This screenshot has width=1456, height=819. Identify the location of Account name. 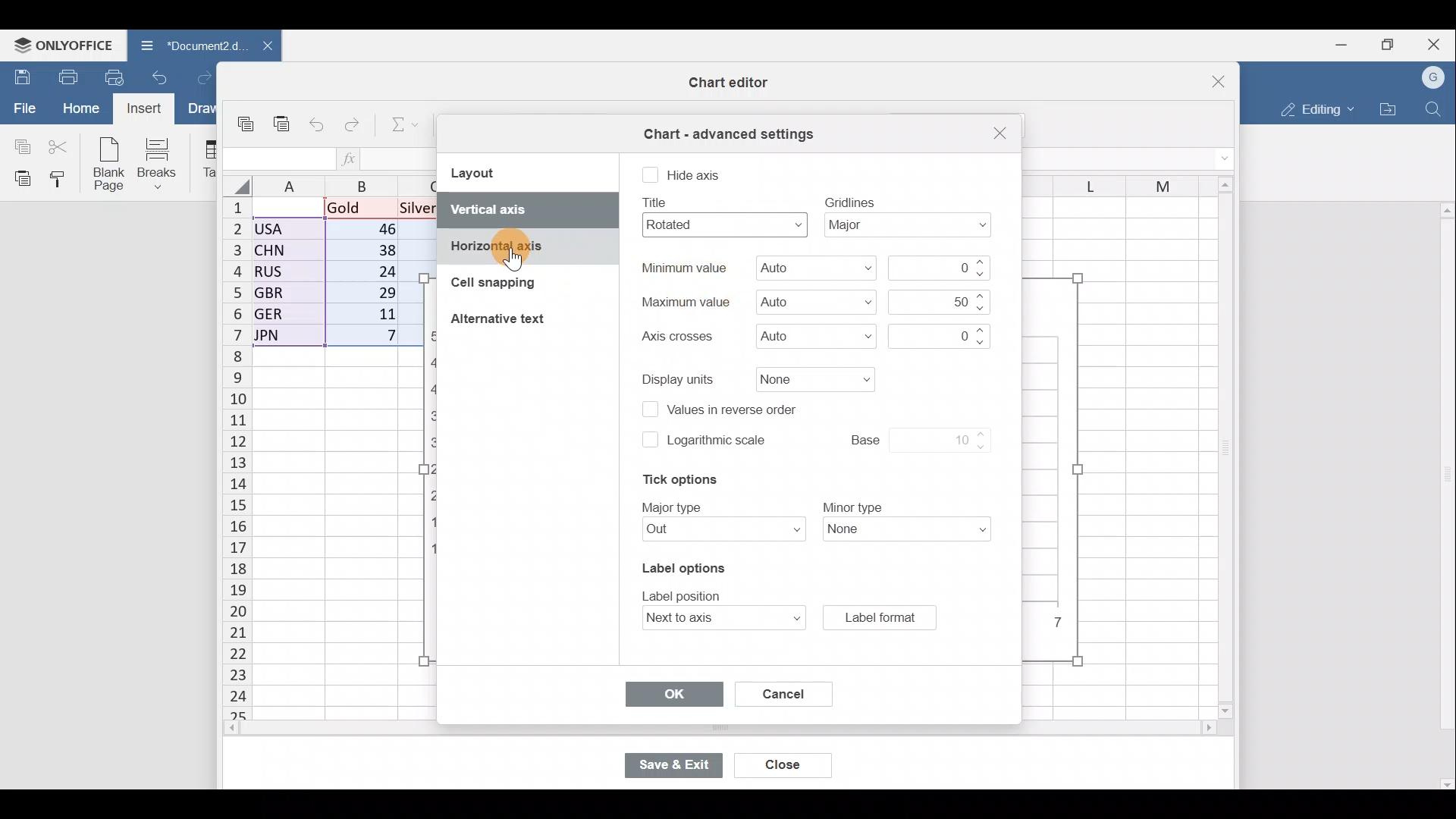
(1434, 74).